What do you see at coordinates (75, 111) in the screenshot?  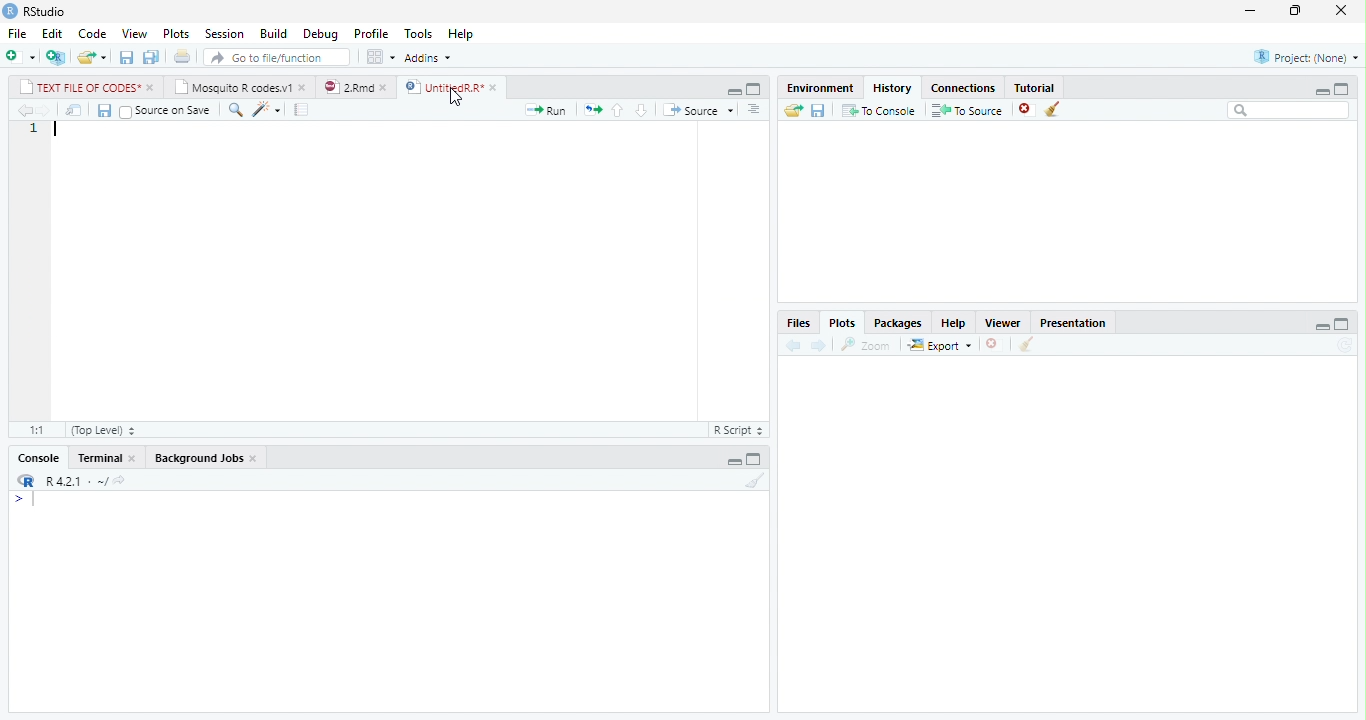 I see `open in new window` at bounding box center [75, 111].